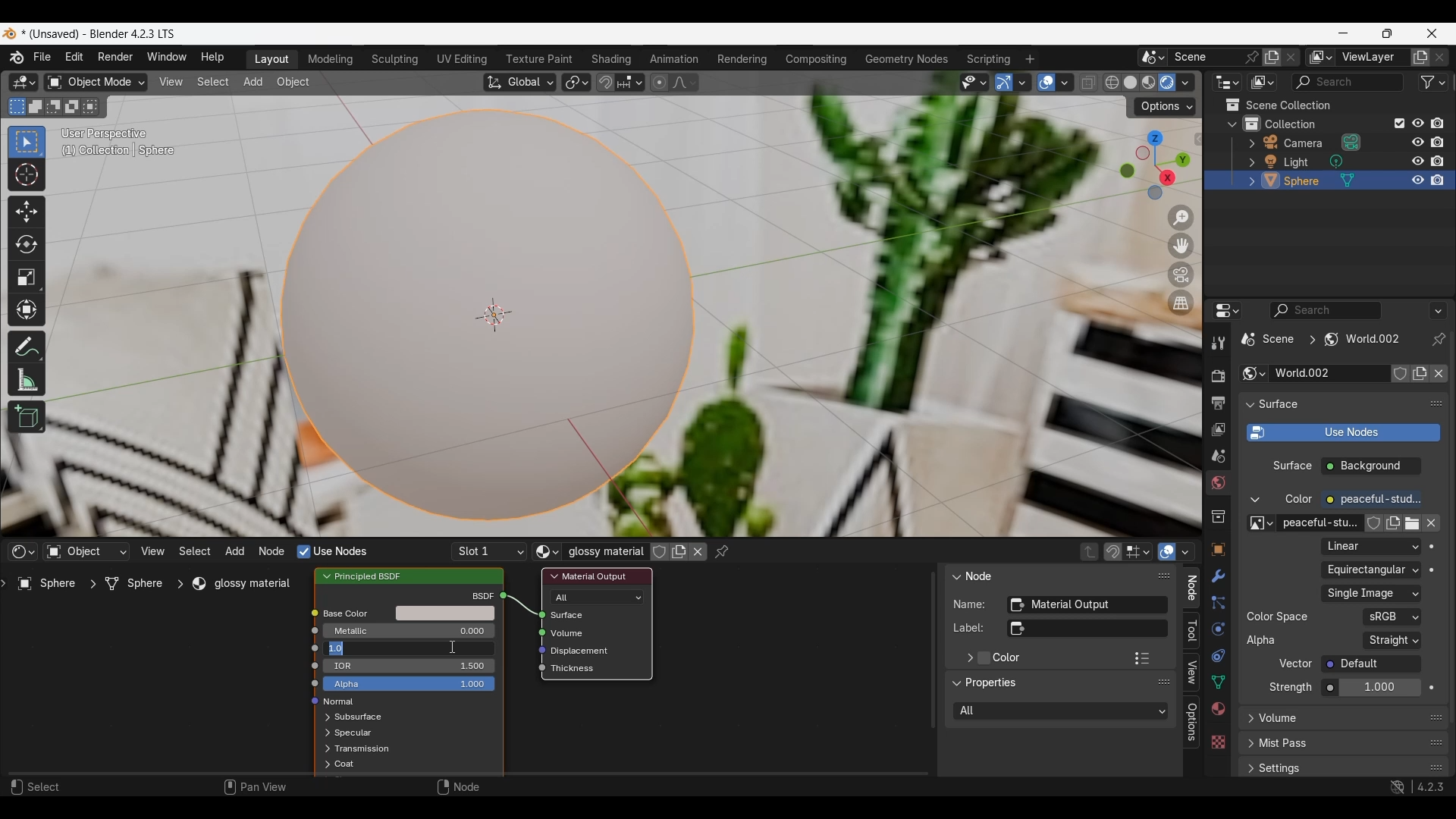 The height and width of the screenshot is (819, 1456). What do you see at coordinates (532, 632) in the screenshot?
I see `icon` at bounding box center [532, 632].